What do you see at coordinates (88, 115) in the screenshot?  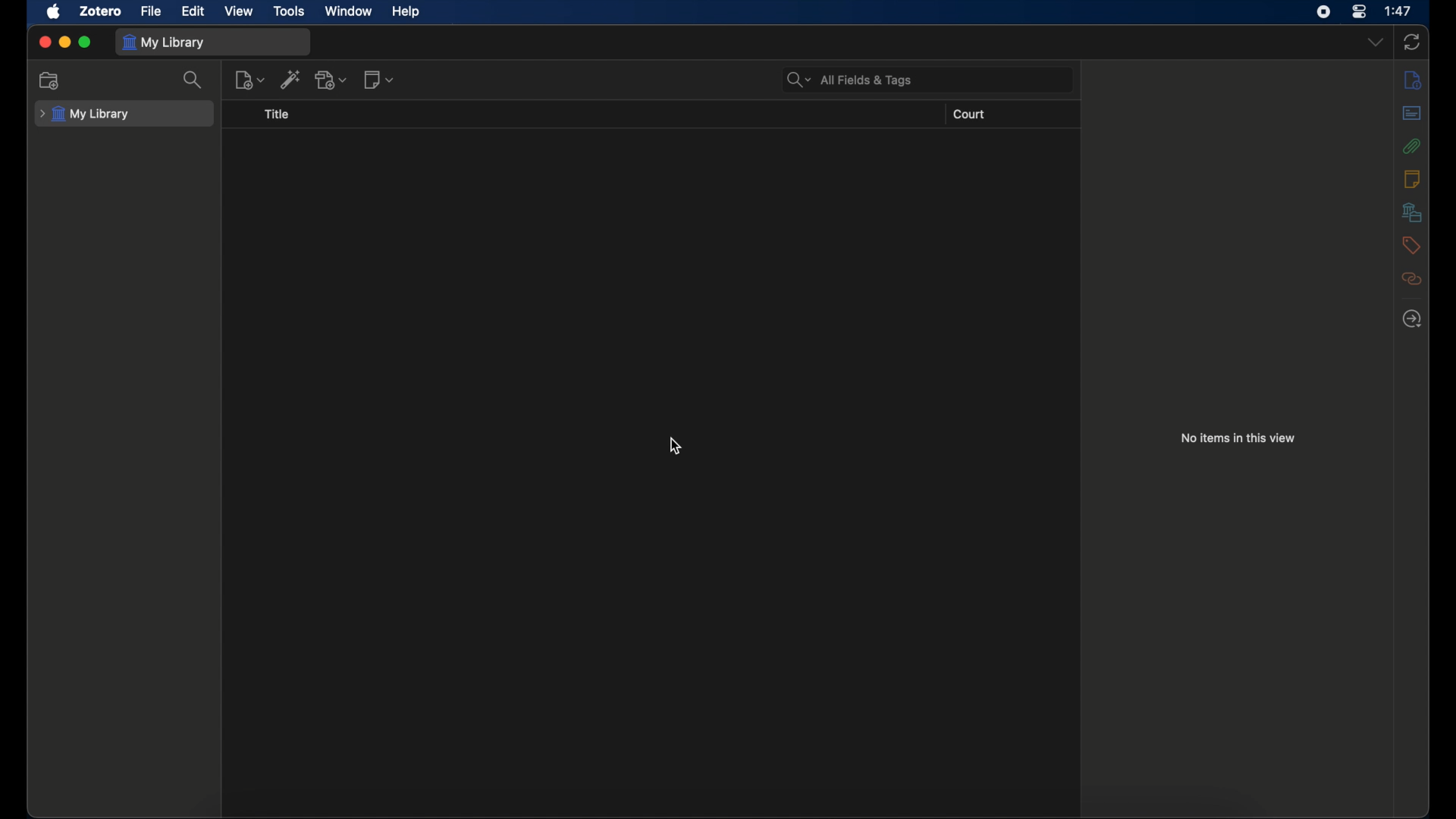 I see `my library` at bounding box center [88, 115].